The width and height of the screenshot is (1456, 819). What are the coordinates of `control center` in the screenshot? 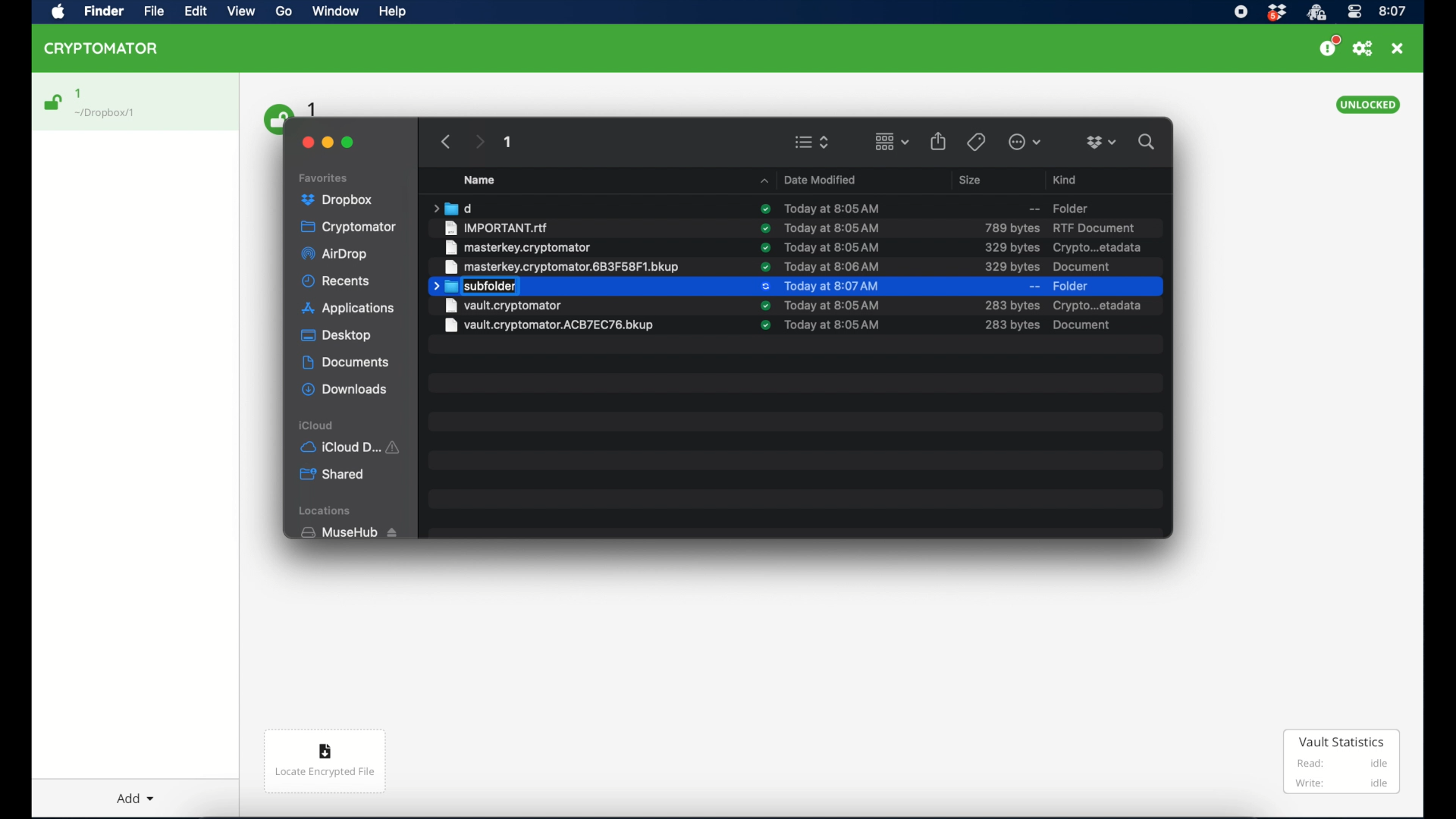 It's located at (1354, 12).